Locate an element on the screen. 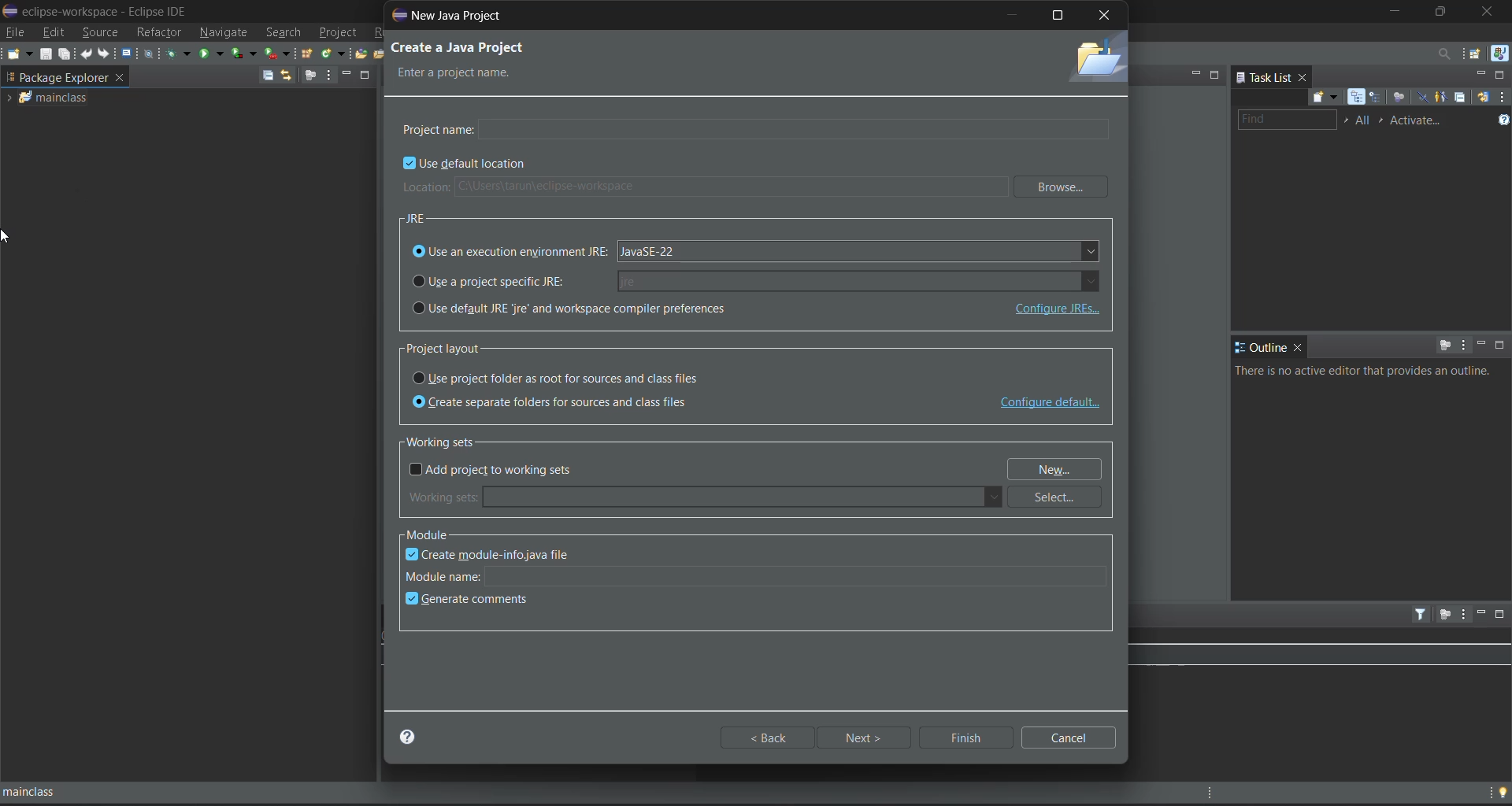 This screenshot has height=806, width=1512. collapse all is located at coordinates (1462, 98).